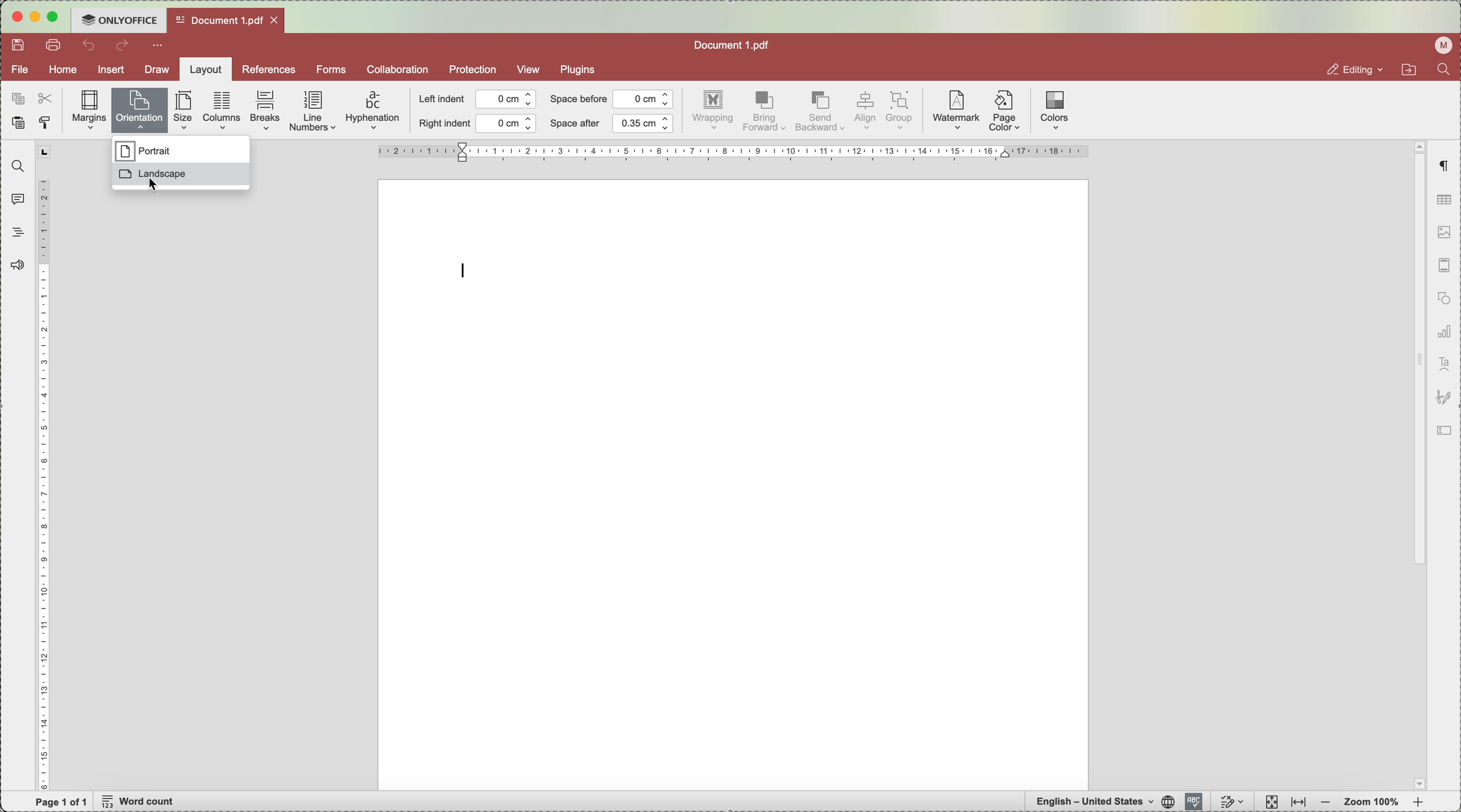 The width and height of the screenshot is (1461, 812). What do you see at coordinates (581, 69) in the screenshot?
I see `plugins` at bounding box center [581, 69].